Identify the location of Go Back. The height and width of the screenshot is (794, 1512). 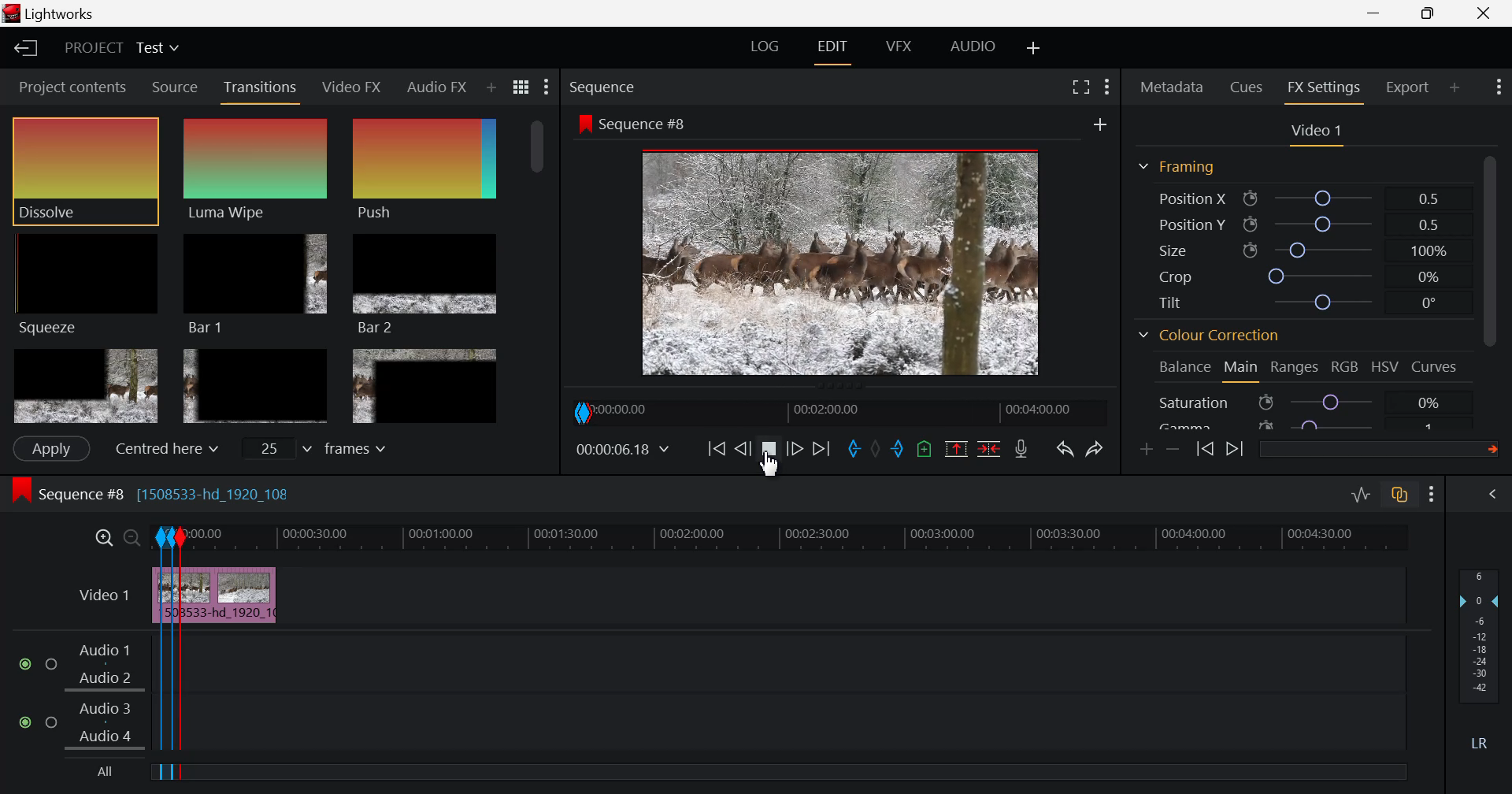
(743, 448).